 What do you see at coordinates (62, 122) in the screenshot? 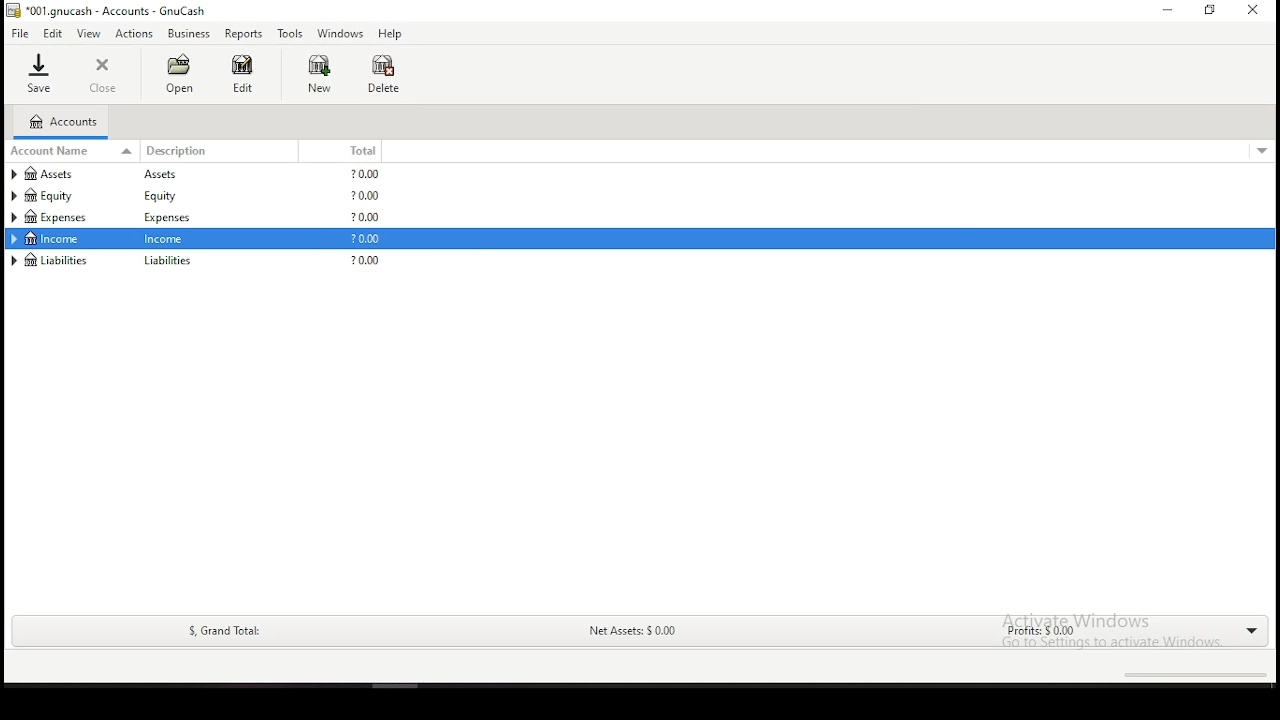
I see `accounts` at bounding box center [62, 122].